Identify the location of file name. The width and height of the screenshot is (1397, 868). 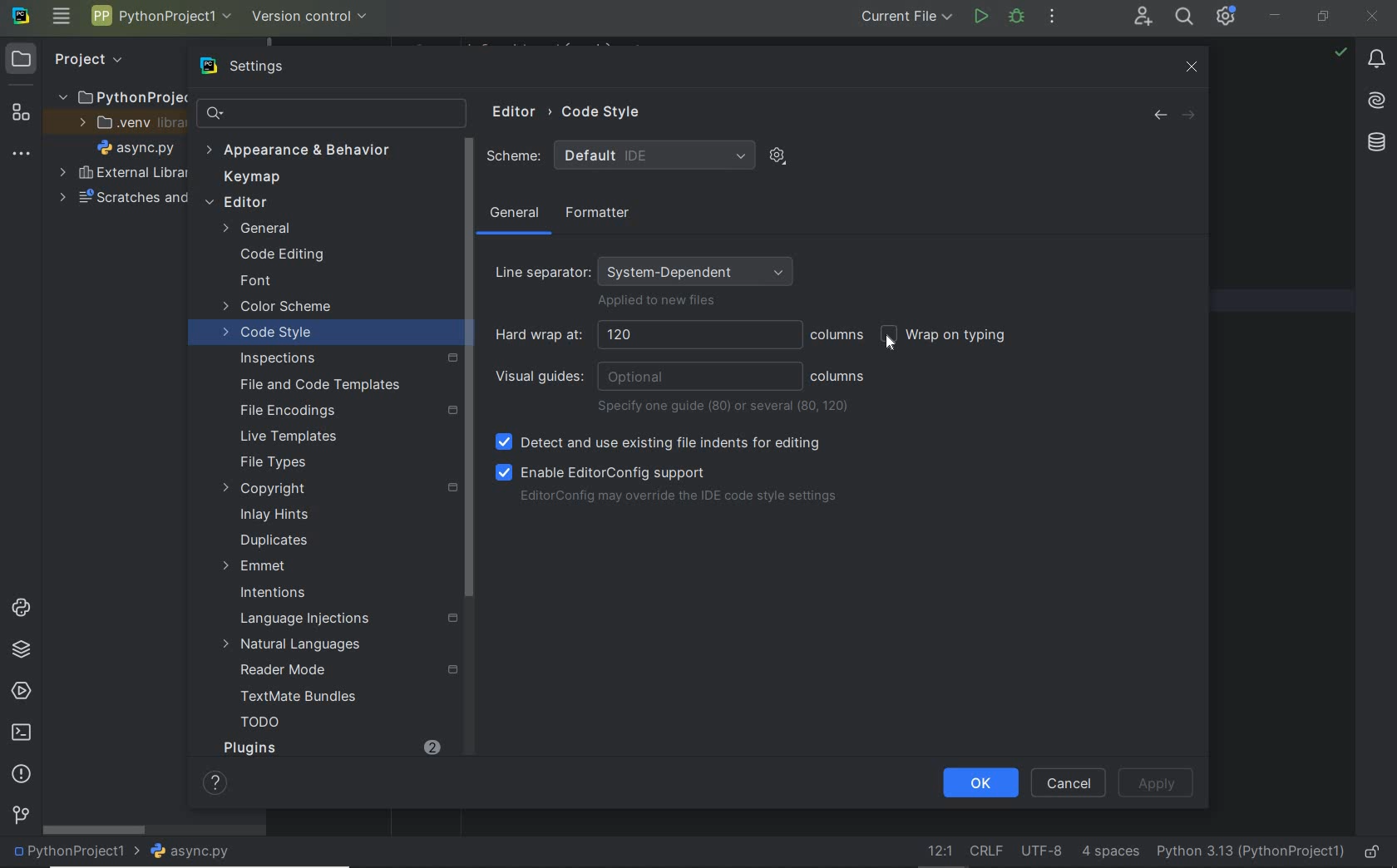
(140, 150).